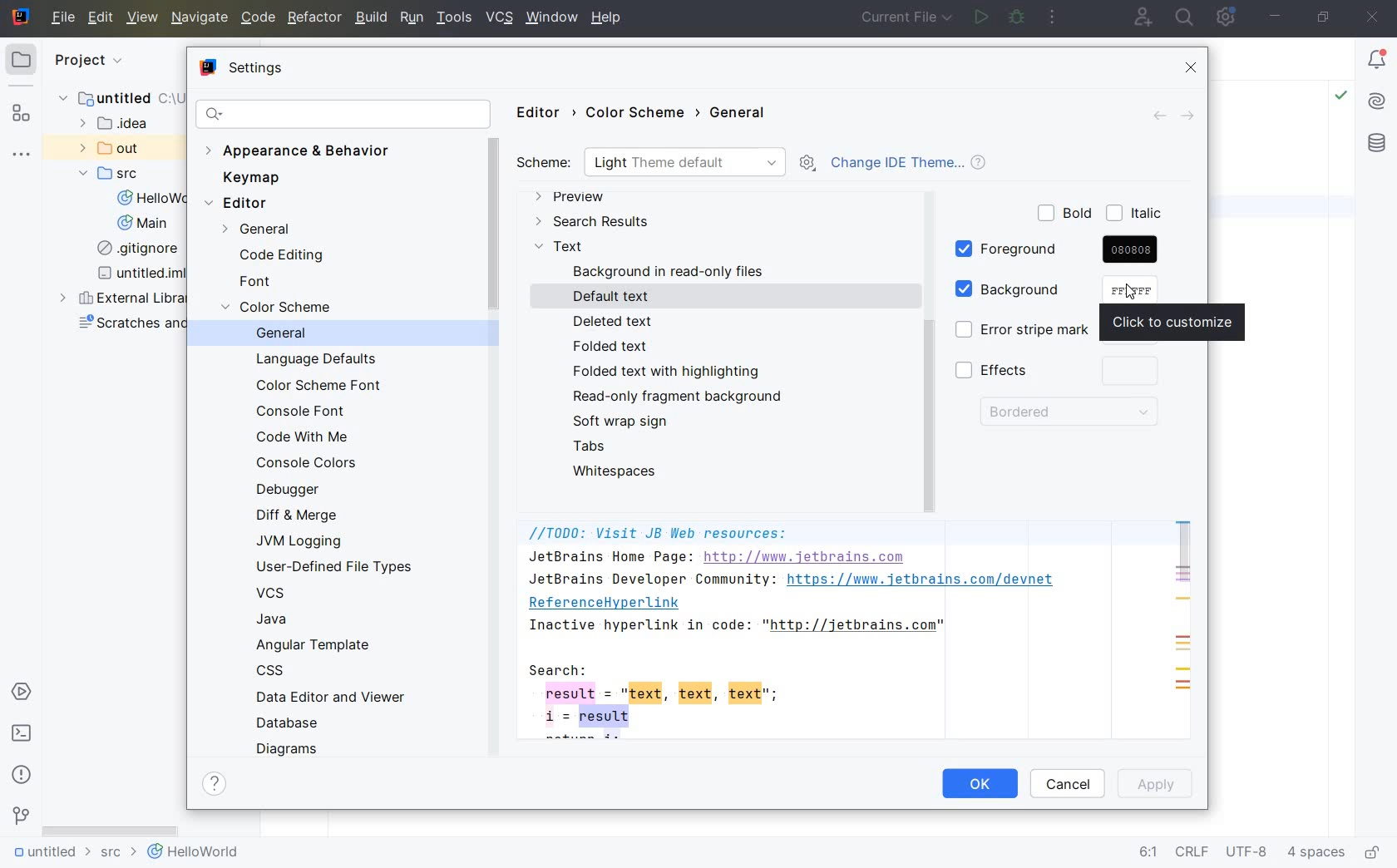  What do you see at coordinates (1179, 323) in the screenshot?
I see `CLICK TO CUSTOMIZE` at bounding box center [1179, 323].